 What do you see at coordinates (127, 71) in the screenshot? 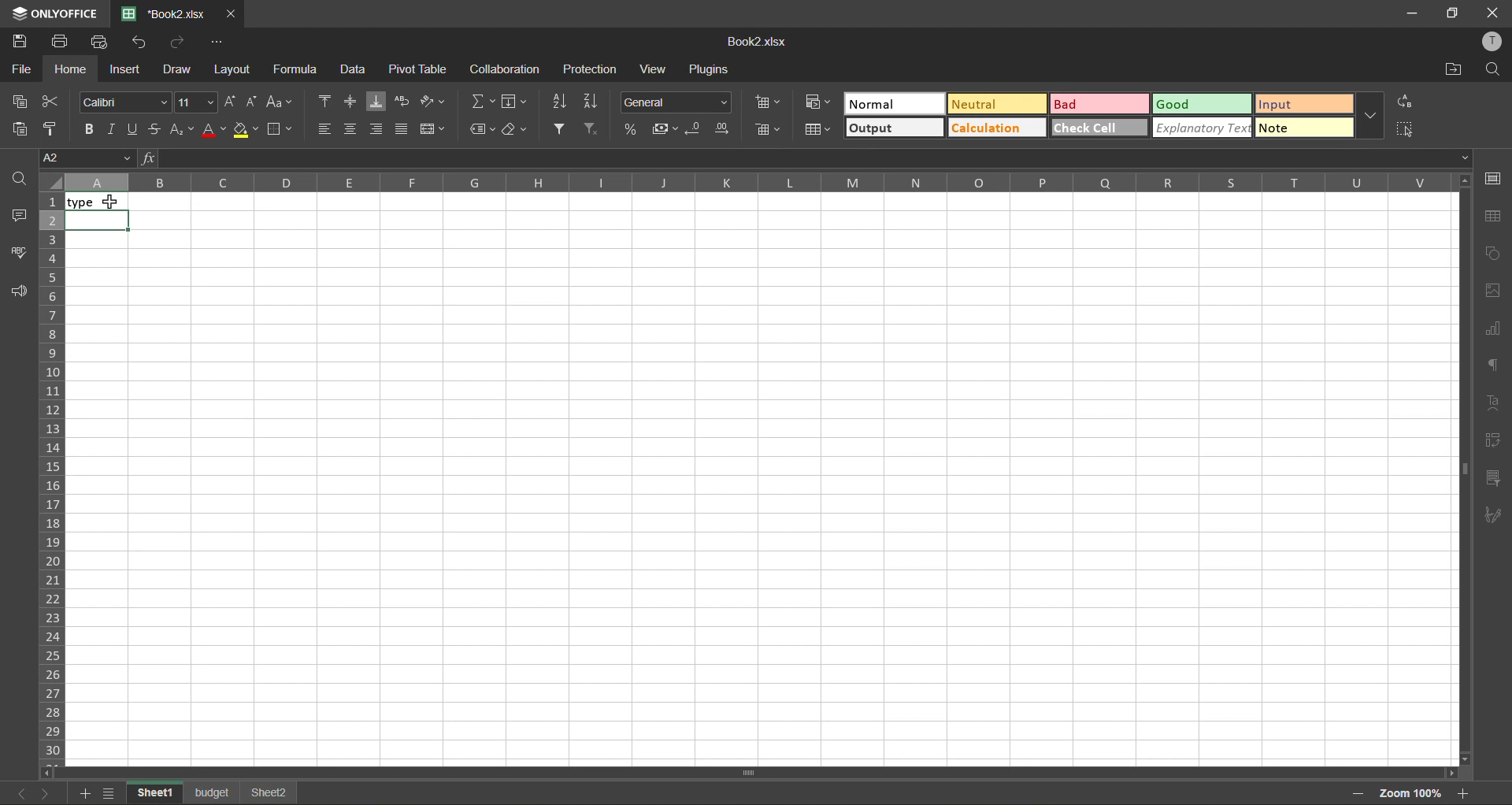
I see `insert` at bounding box center [127, 71].